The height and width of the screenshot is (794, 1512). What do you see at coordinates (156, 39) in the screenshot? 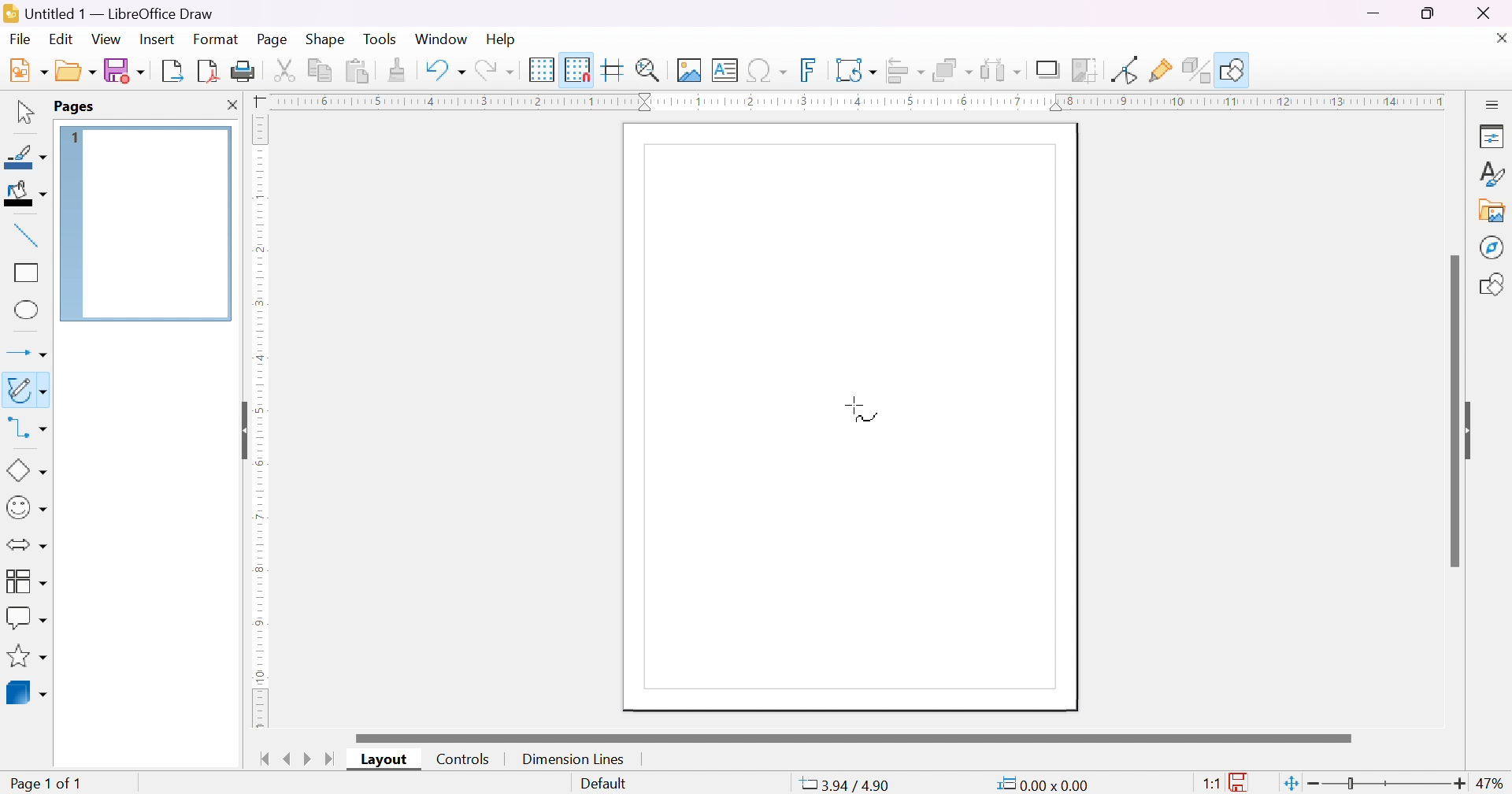
I see `insert` at bounding box center [156, 39].